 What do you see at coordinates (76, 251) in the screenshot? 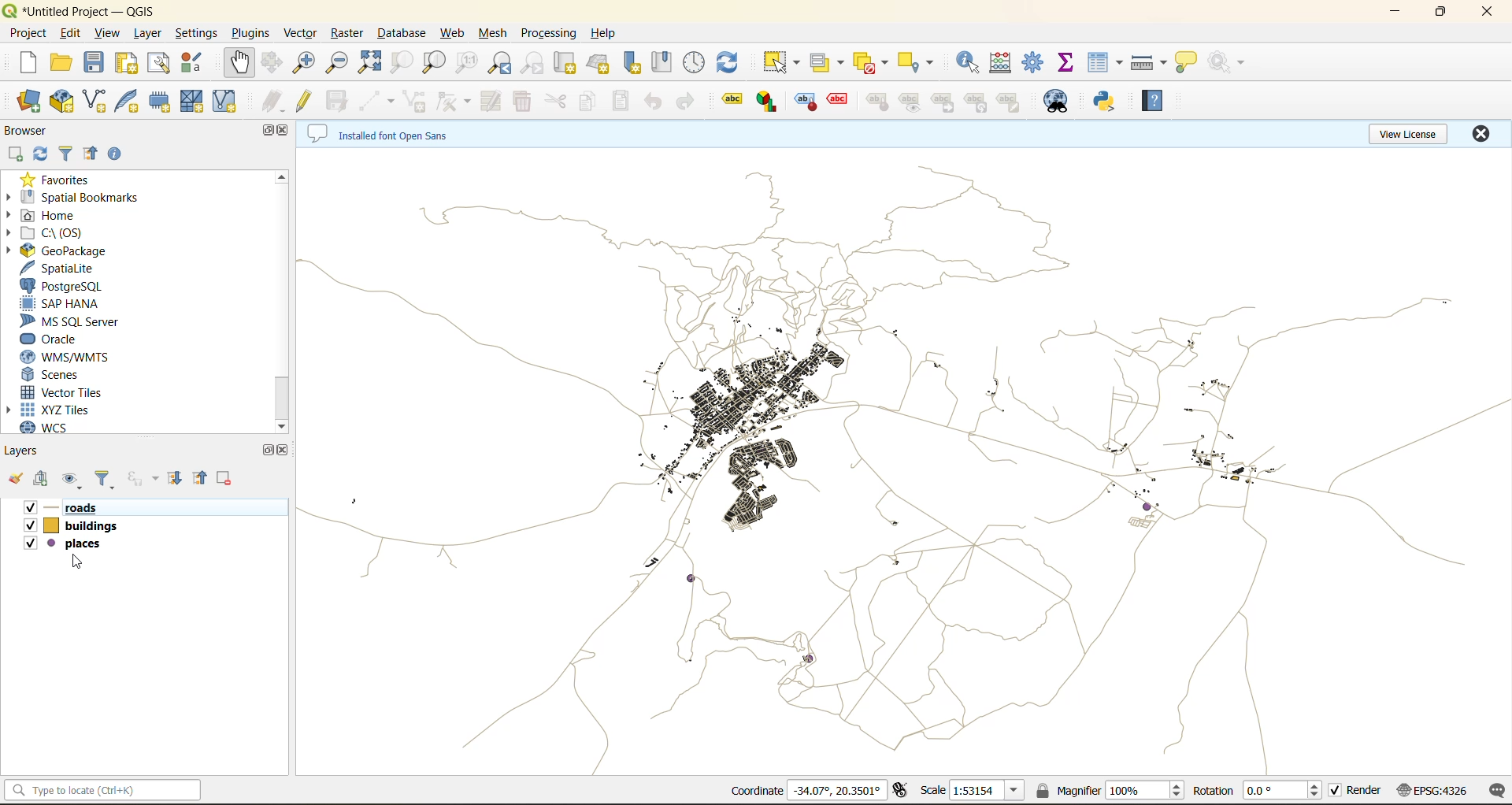
I see `geopackage` at bounding box center [76, 251].